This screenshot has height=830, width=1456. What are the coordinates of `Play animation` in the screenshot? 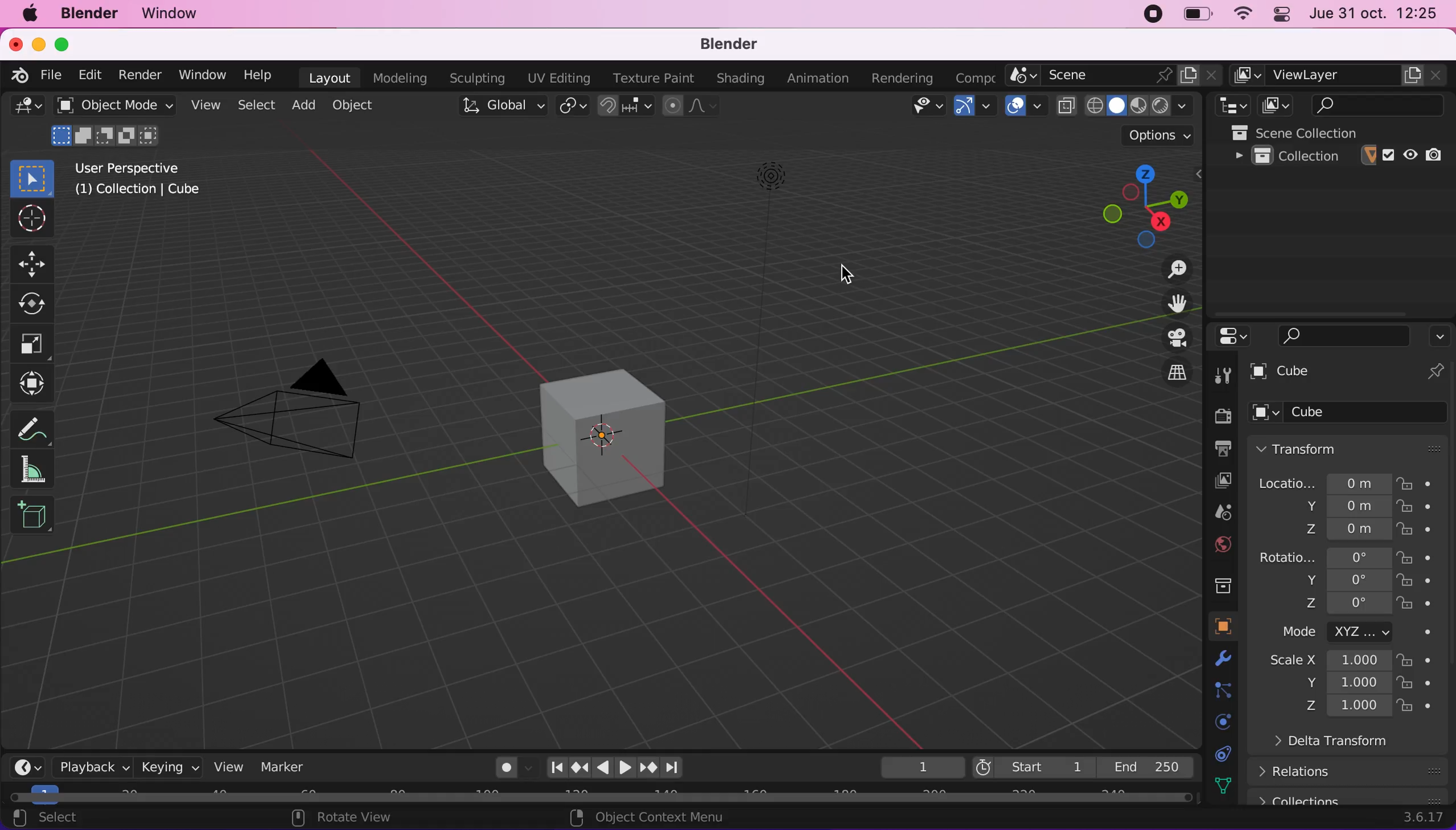 It's located at (624, 768).